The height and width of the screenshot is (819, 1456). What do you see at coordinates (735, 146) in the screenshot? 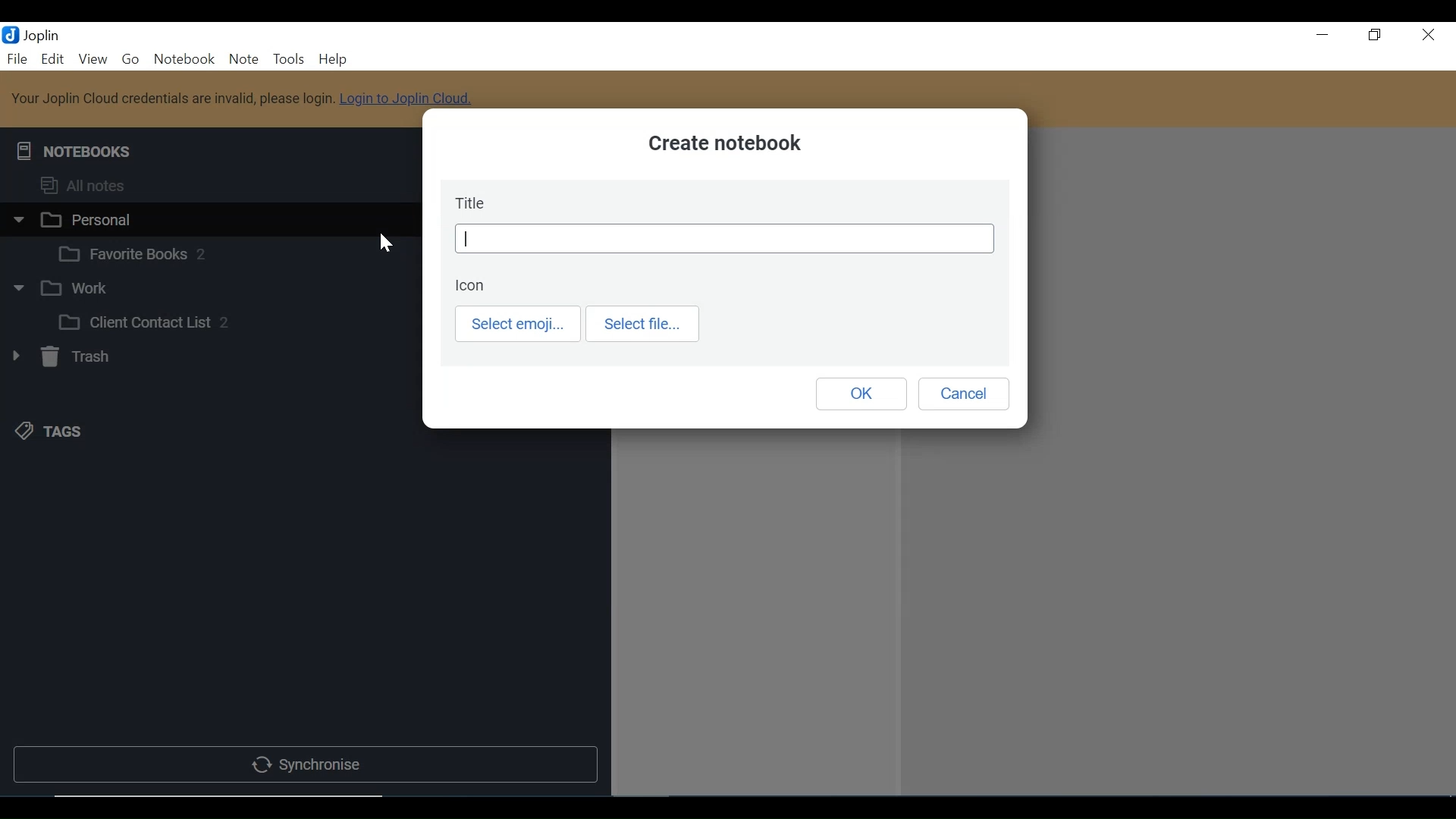
I see `Create notebook` at bounding box center [735, 146].